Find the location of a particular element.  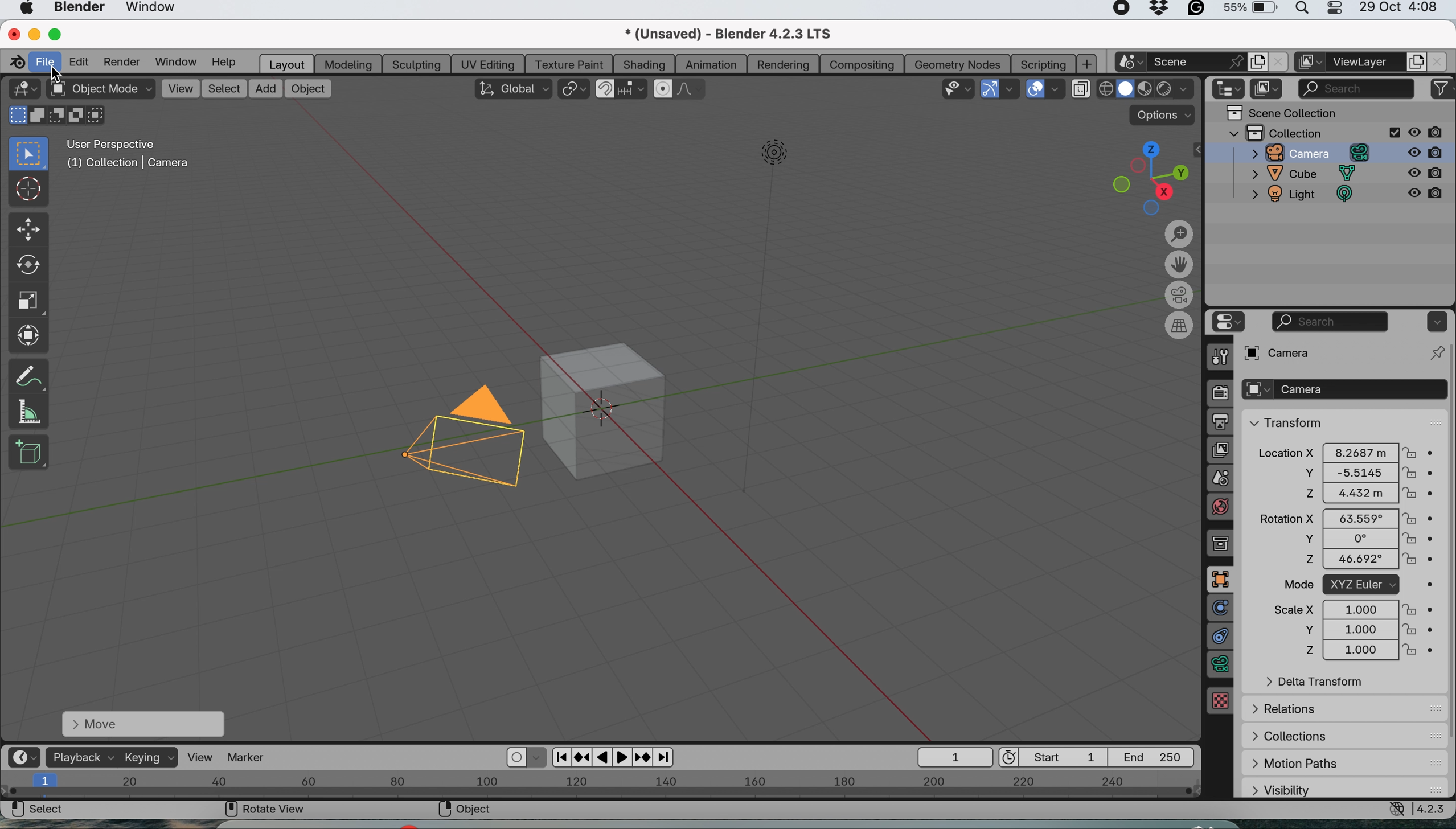

modes is located at coordinates (54, 116).